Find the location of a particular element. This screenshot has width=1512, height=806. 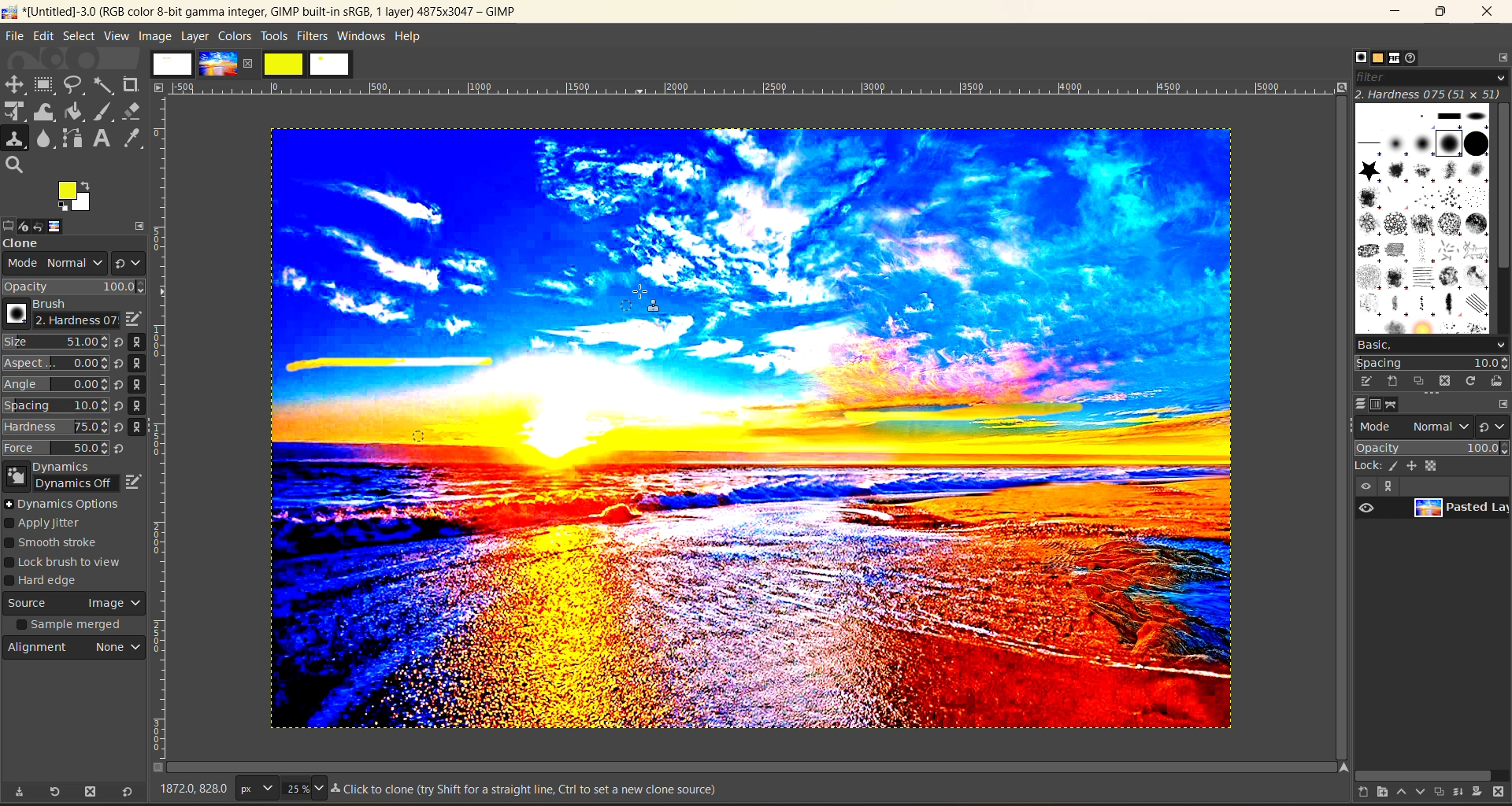

mode is located at coordinates (50, 265).